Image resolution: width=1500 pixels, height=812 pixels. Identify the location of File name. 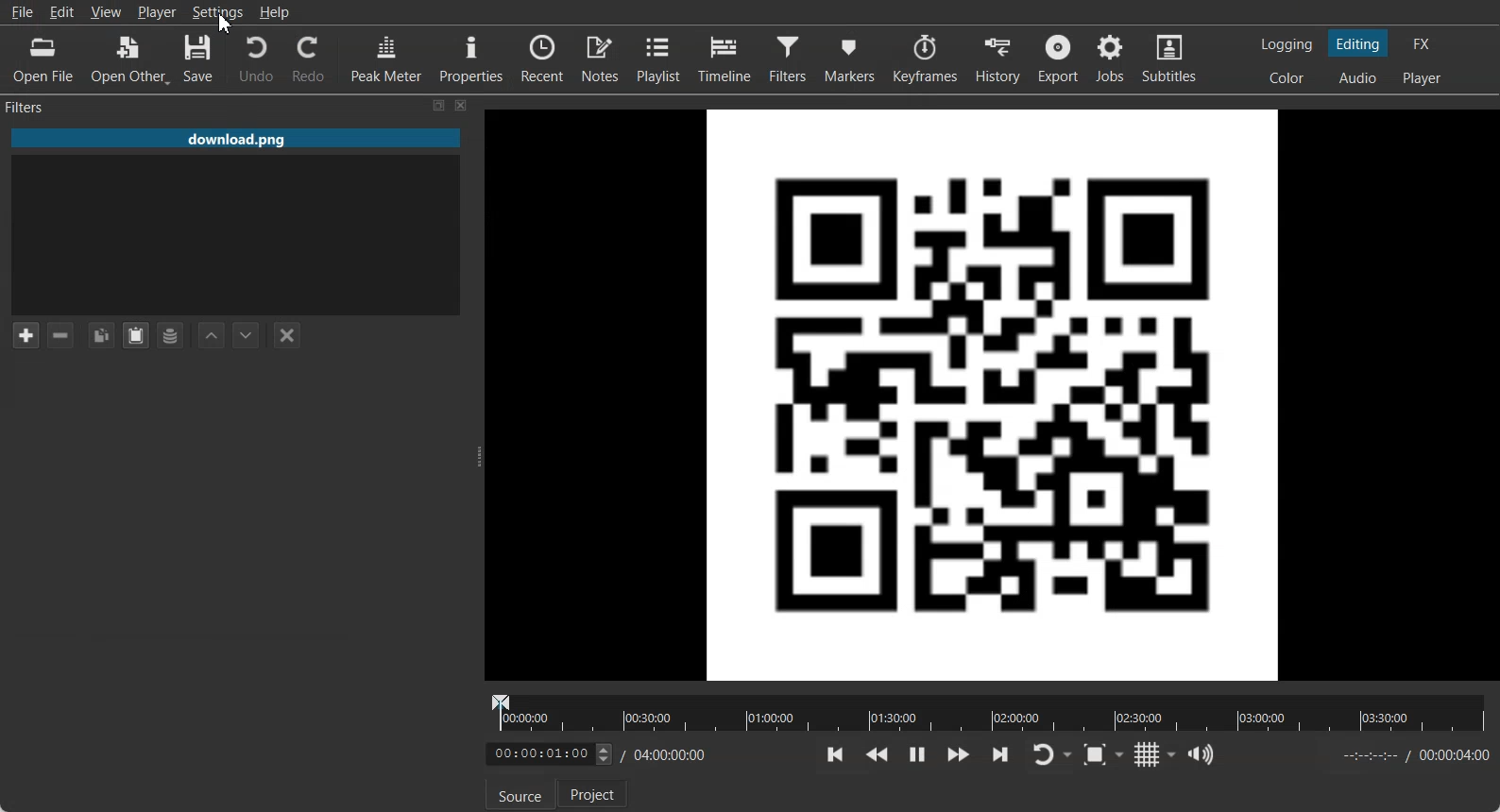
(236, 134).